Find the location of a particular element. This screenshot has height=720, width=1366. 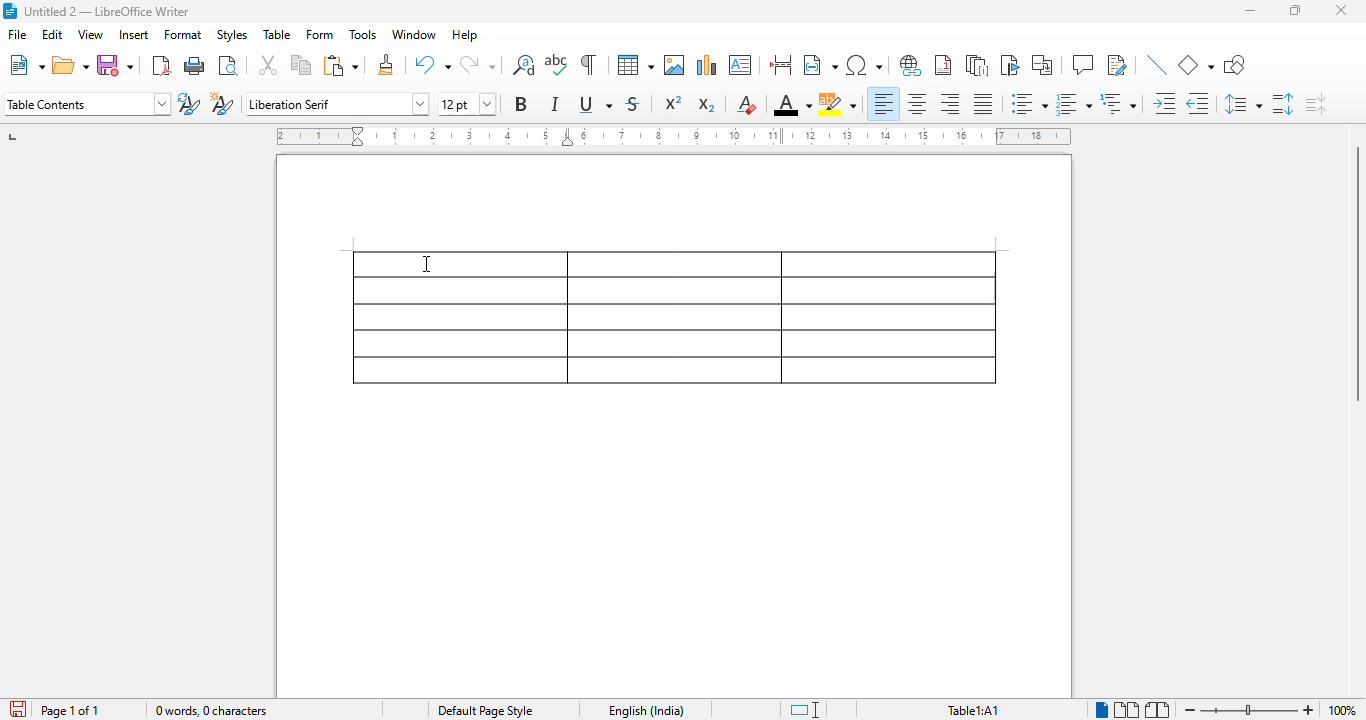

print is located at coordinates (195, 65).